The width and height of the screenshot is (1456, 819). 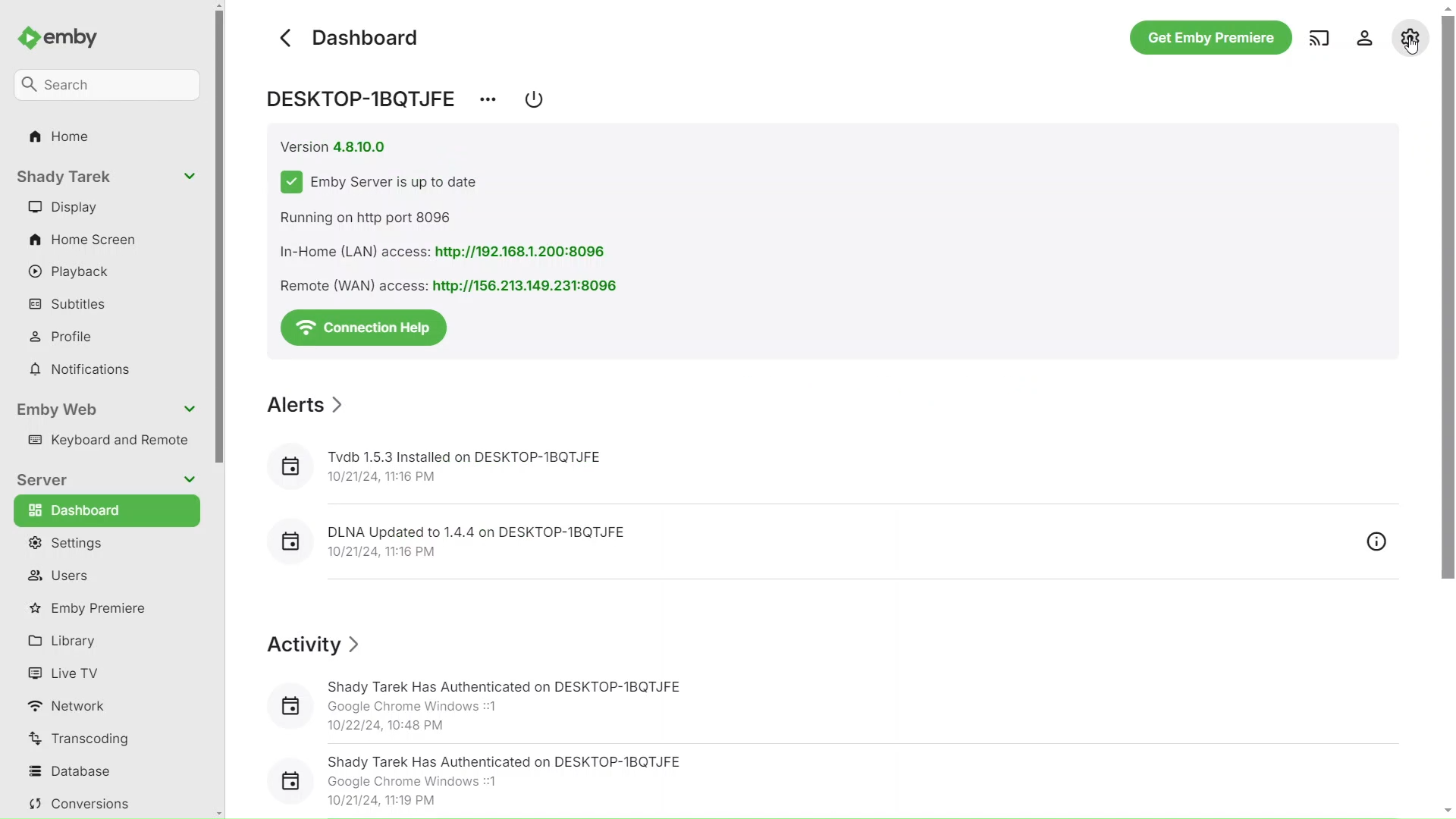 What do you see at coordinates (108, 409) in the screenshot?
I see `Emby Web` at bounding box center [108, 409].